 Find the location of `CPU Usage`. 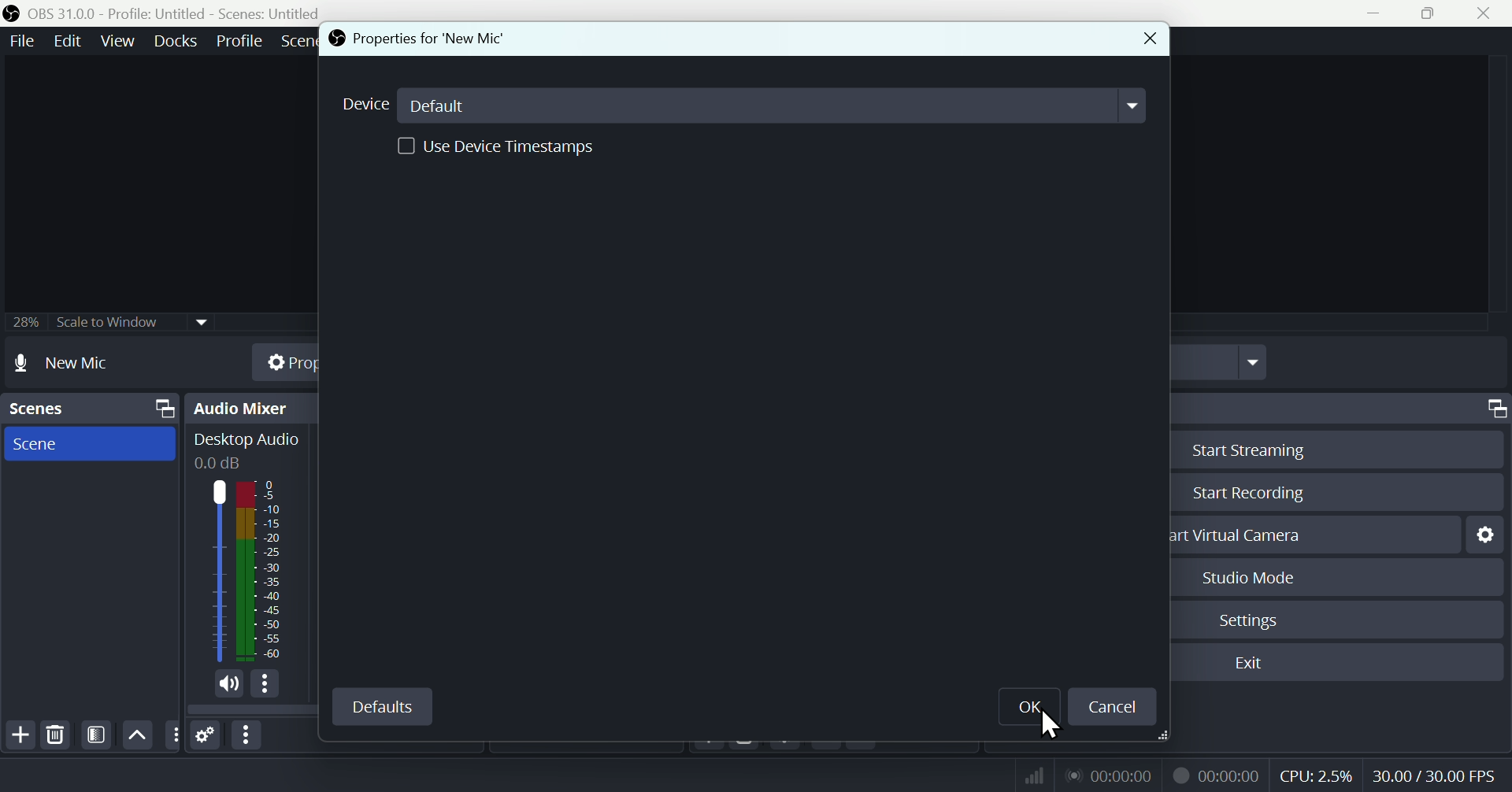

CPU Usage is located at coordinates (1317, 776).